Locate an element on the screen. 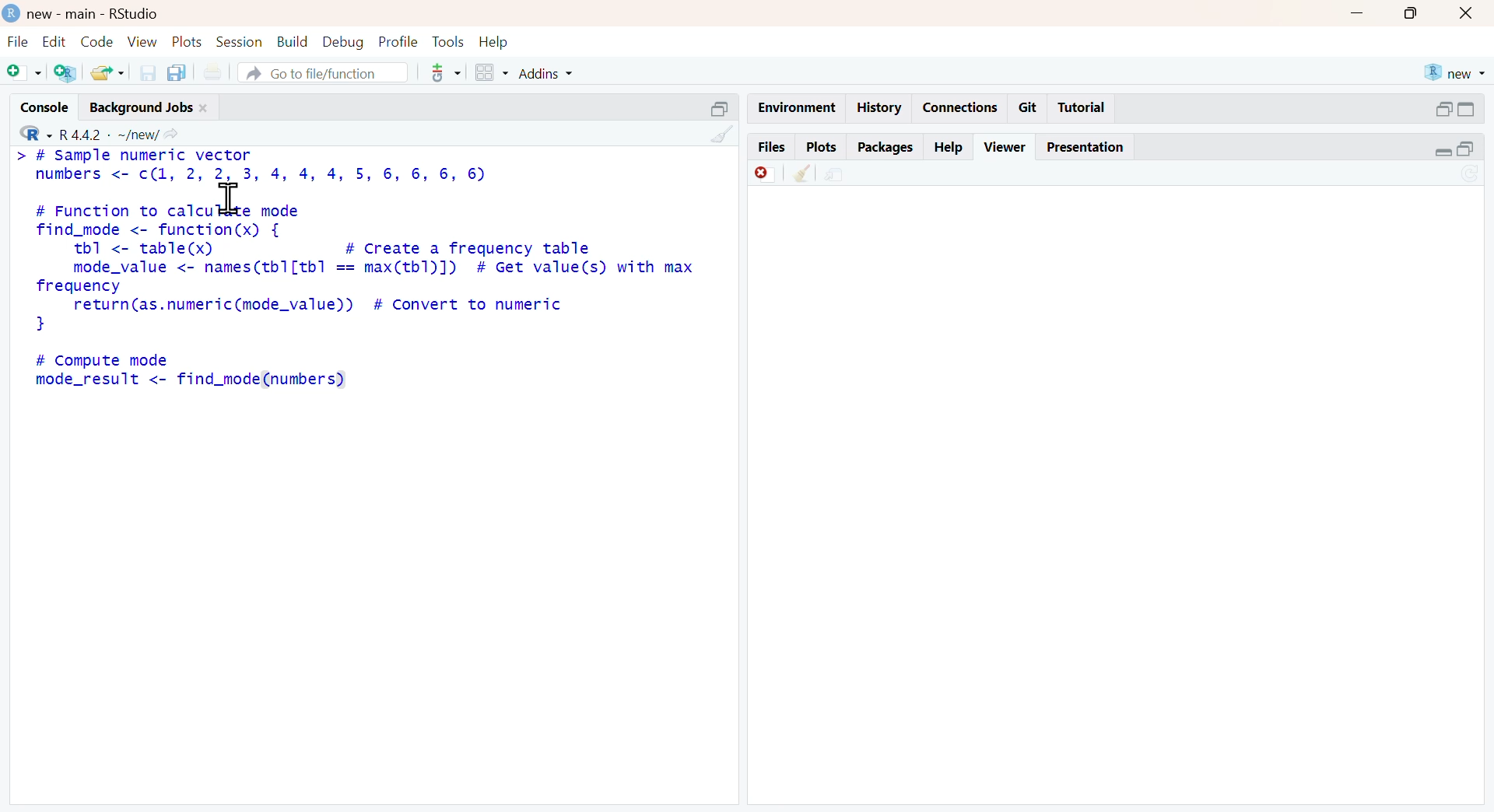 This screenshot has width=1494, height=812. share folder as is located at coordinates (109, 73).